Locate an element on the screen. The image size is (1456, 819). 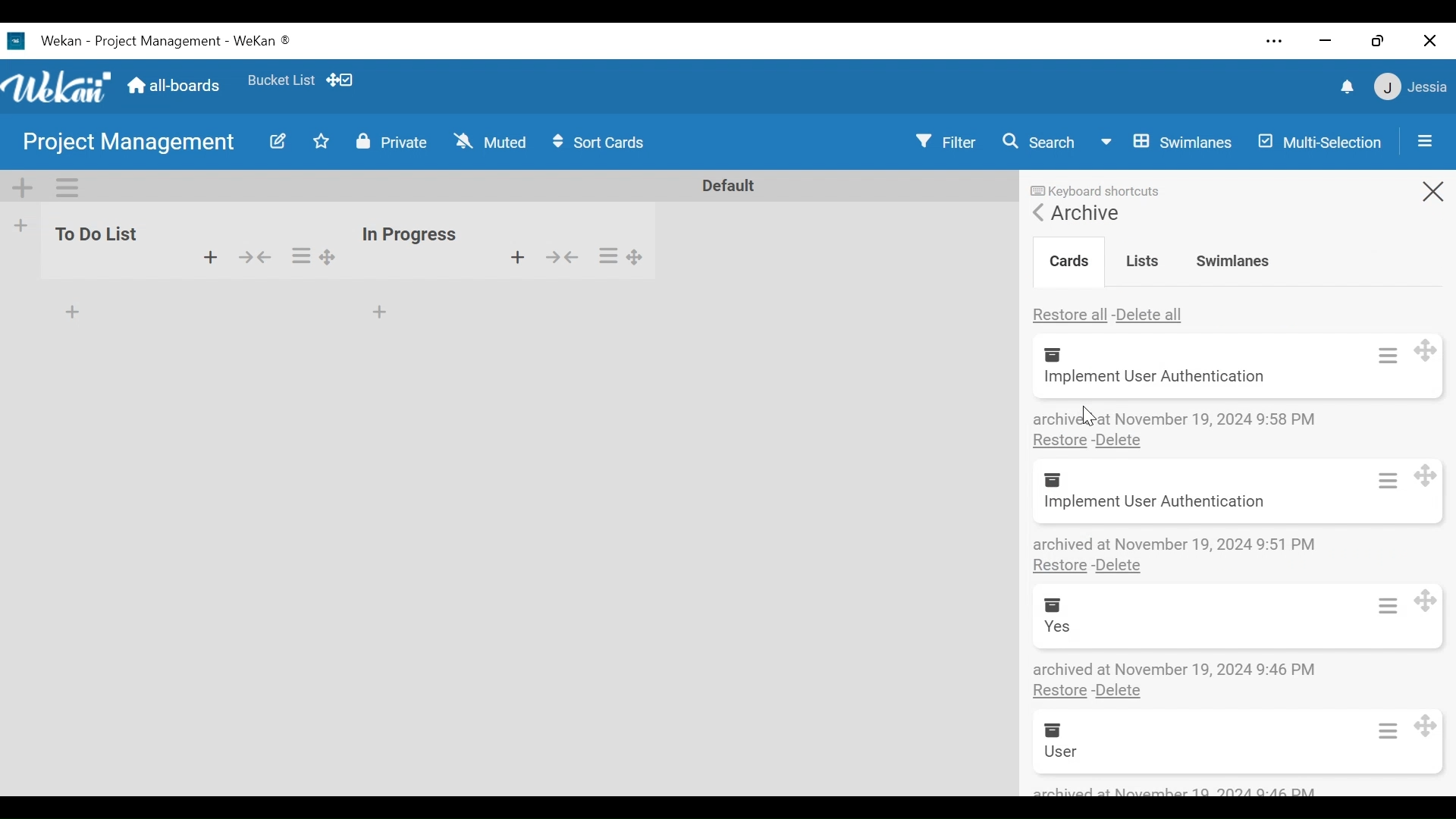
hide/show is located at coordinates (253, 256).